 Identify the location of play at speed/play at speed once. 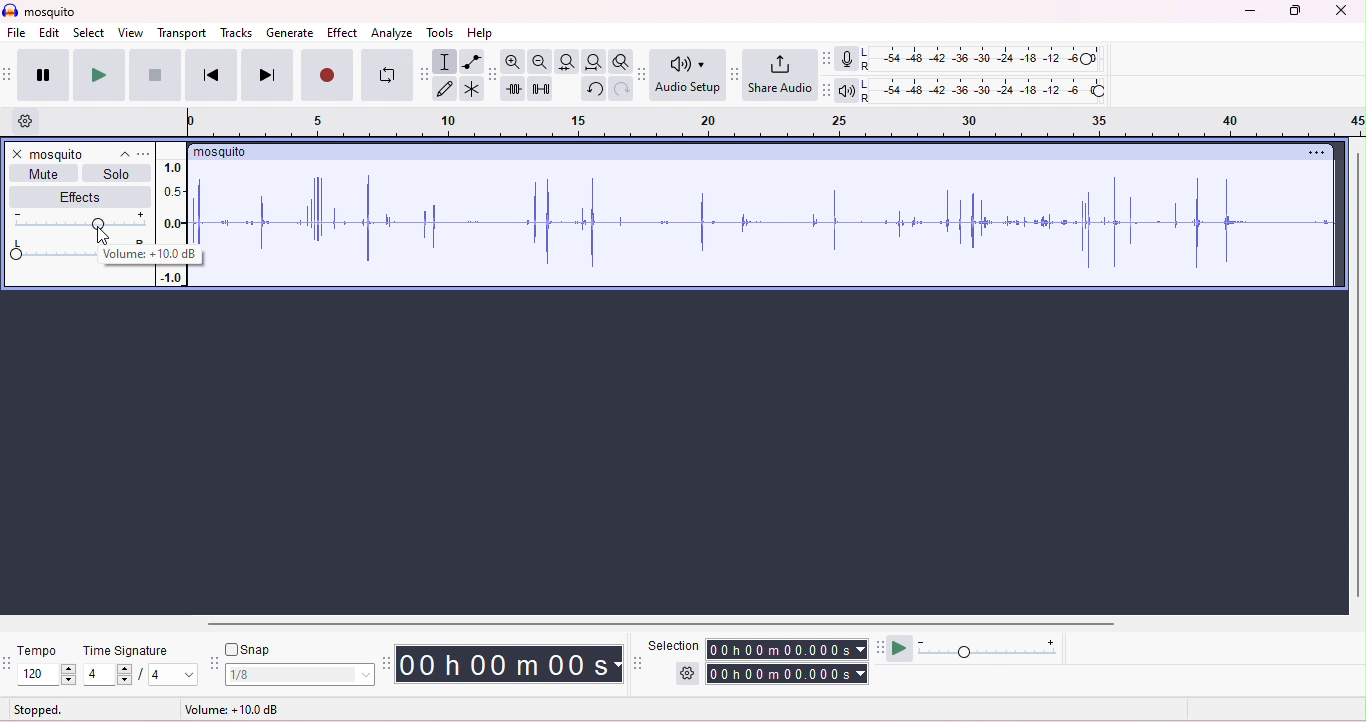
(901, 649).